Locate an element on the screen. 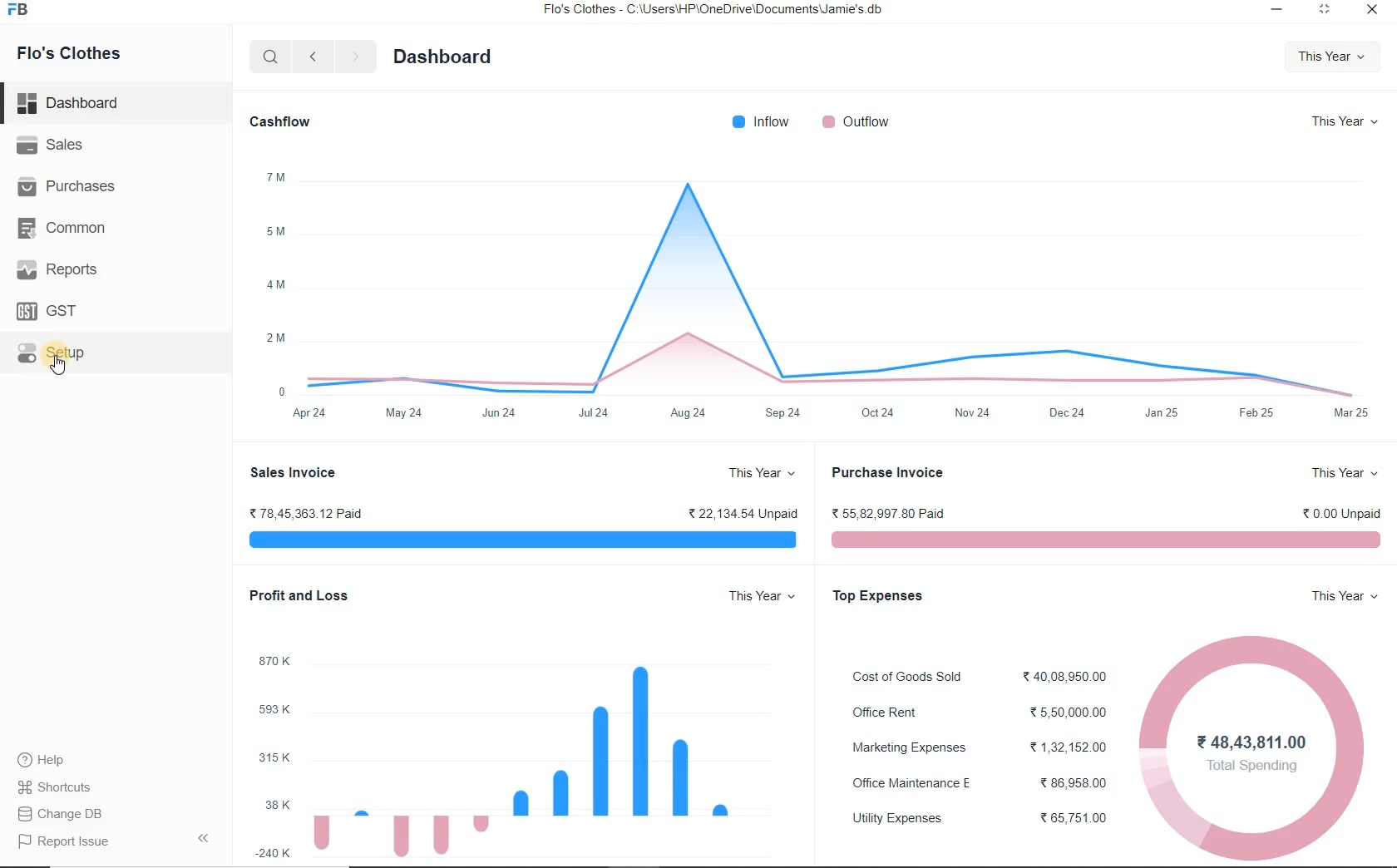  Purchase Invoice is located at coordinates (888, 473).